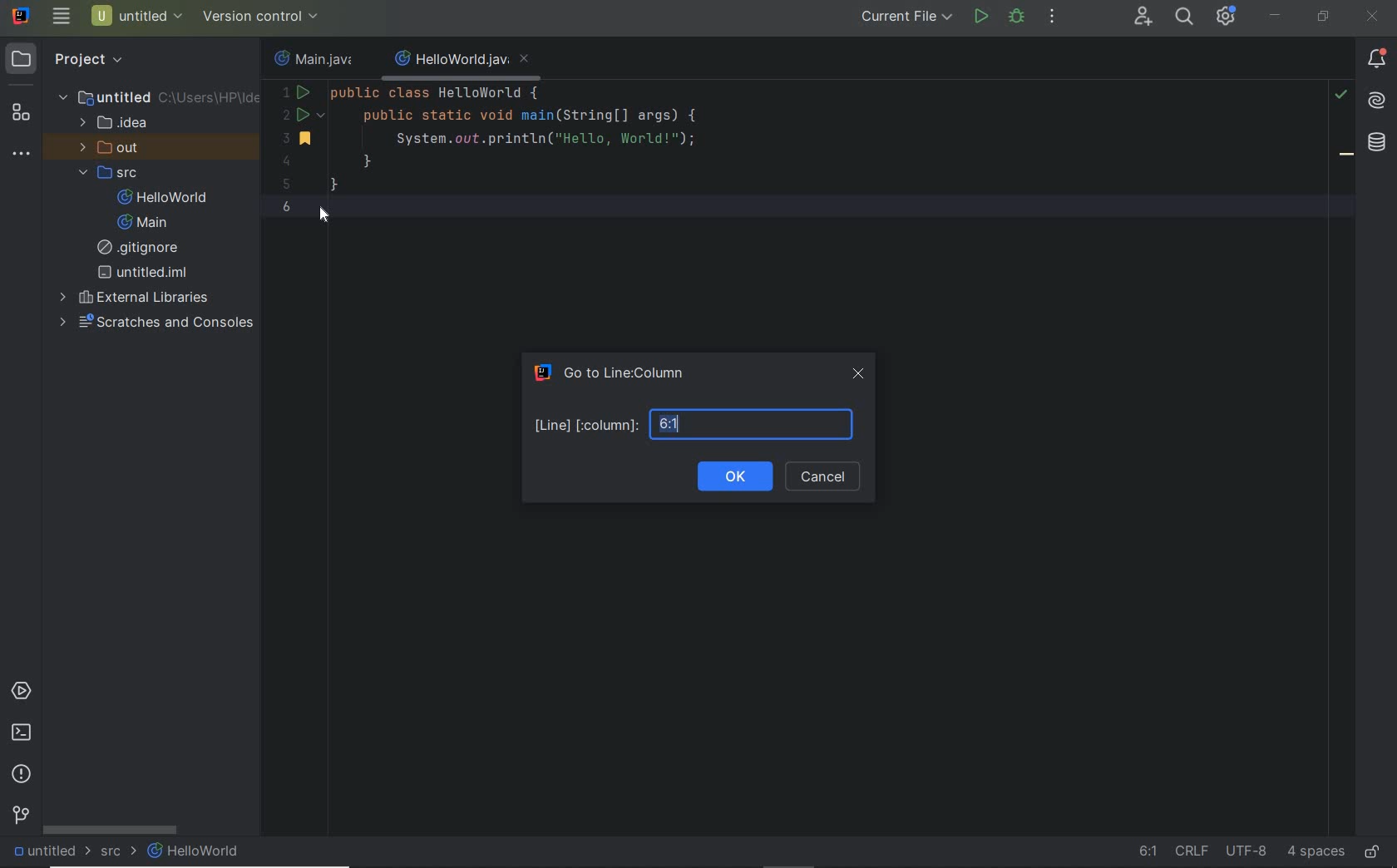 Image resolution: width=1397 pixels, height=868 pixels. What do you see at coordinates (1377, 145) in the screenshot?
I see `database` at bounding box center [1377, 145].